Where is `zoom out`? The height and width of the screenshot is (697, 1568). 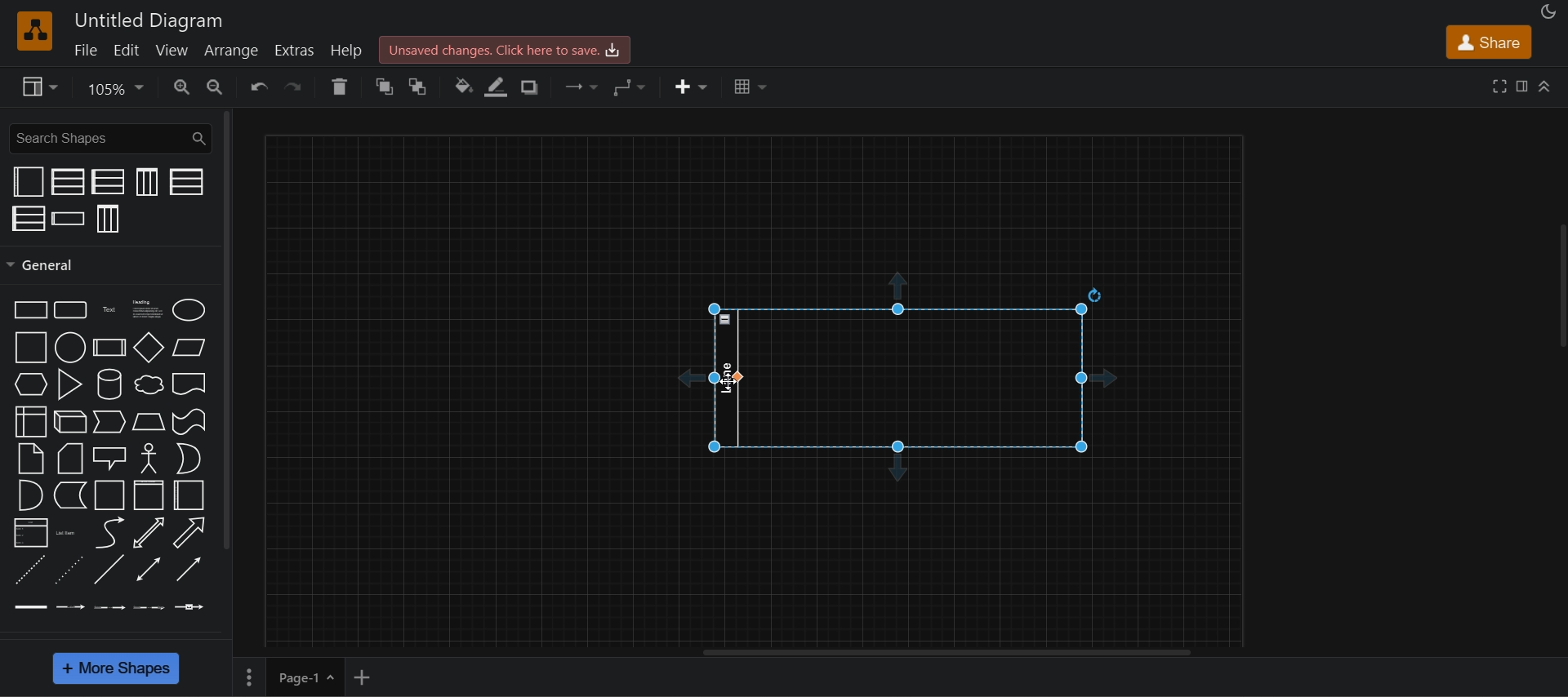
zoom out is located at coordinates (217, 87).